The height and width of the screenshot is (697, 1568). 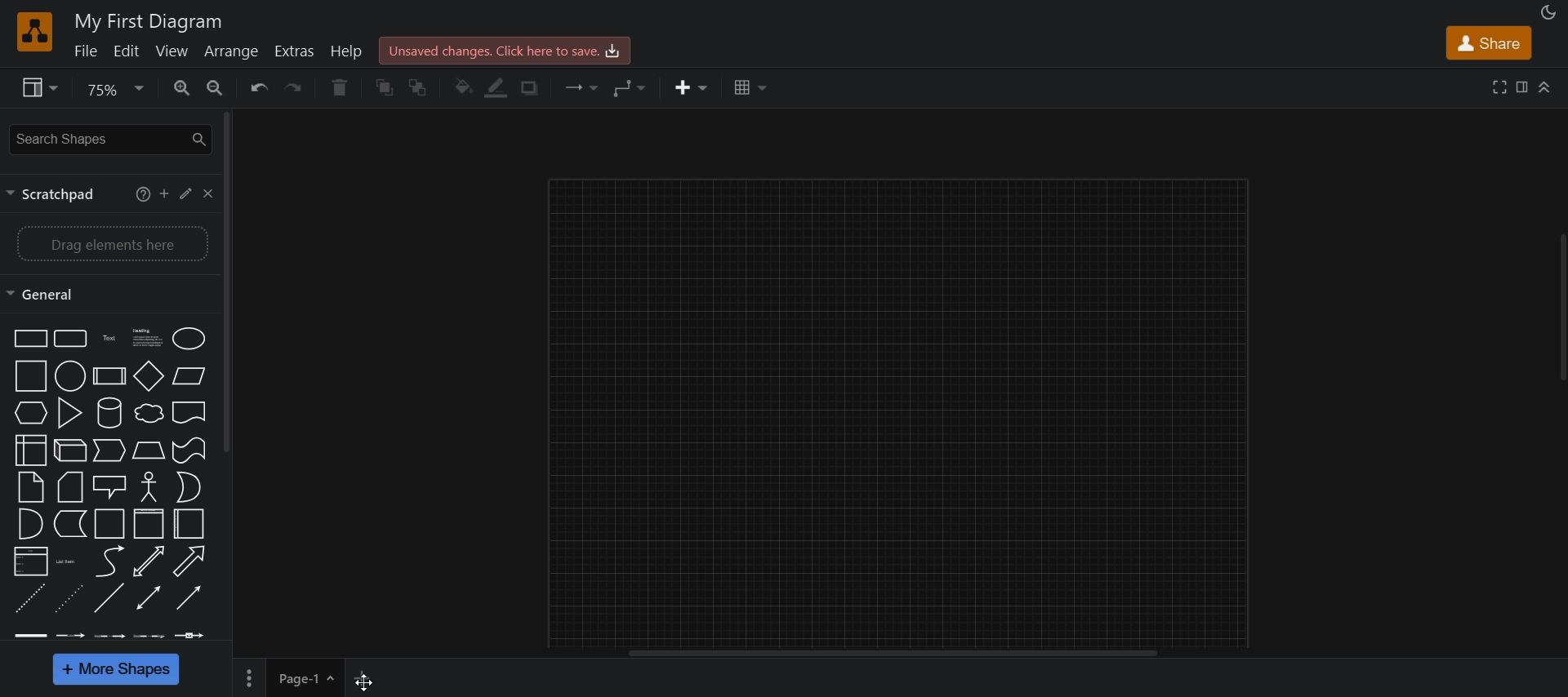 I want to click on share, so click(x=1488, y=44).